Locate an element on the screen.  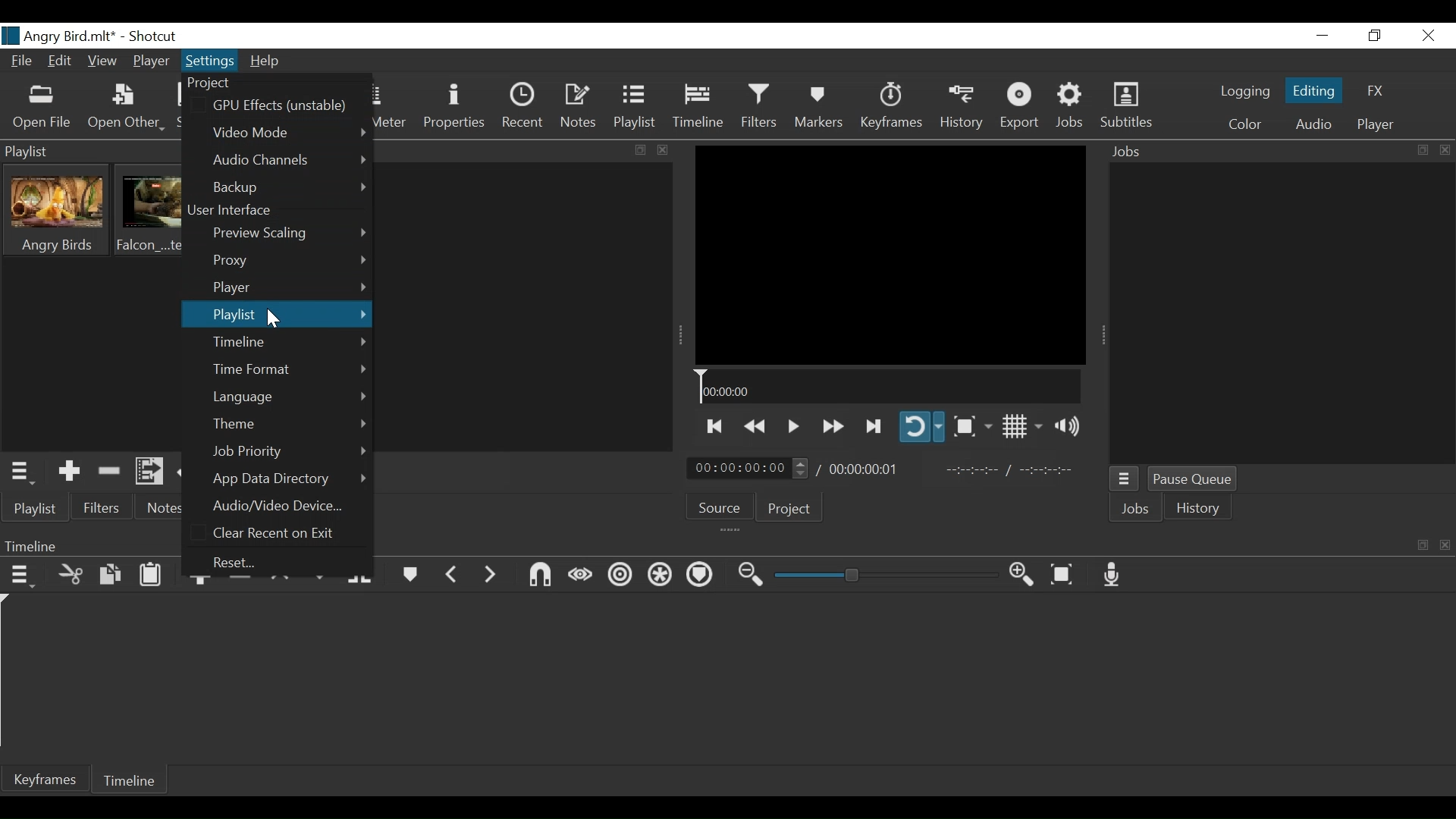
close is located at coordinates (1447, 549).